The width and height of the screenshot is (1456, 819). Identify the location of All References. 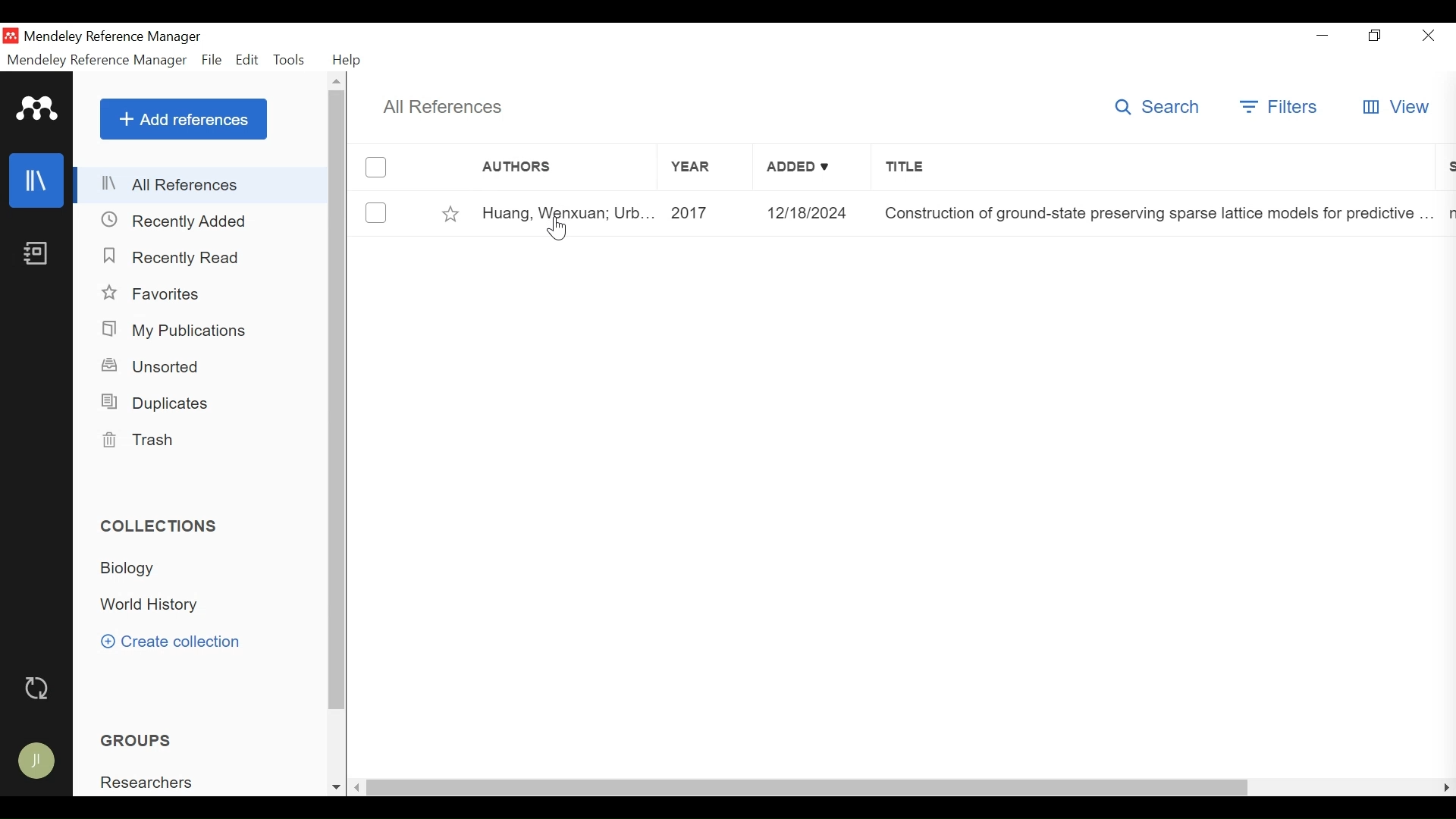
(444, 108).